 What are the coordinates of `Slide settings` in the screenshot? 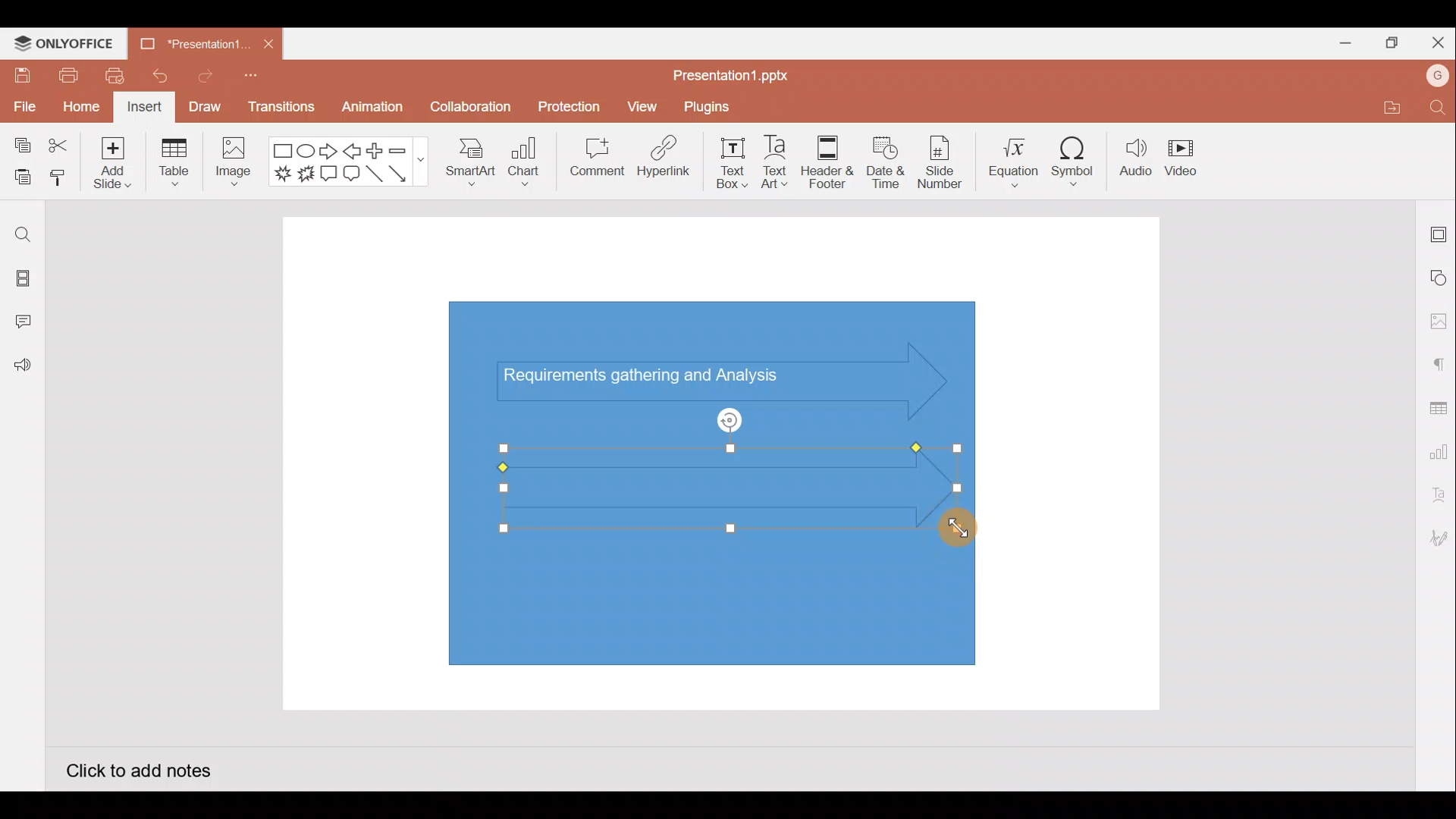 It's located at (1439, 231).